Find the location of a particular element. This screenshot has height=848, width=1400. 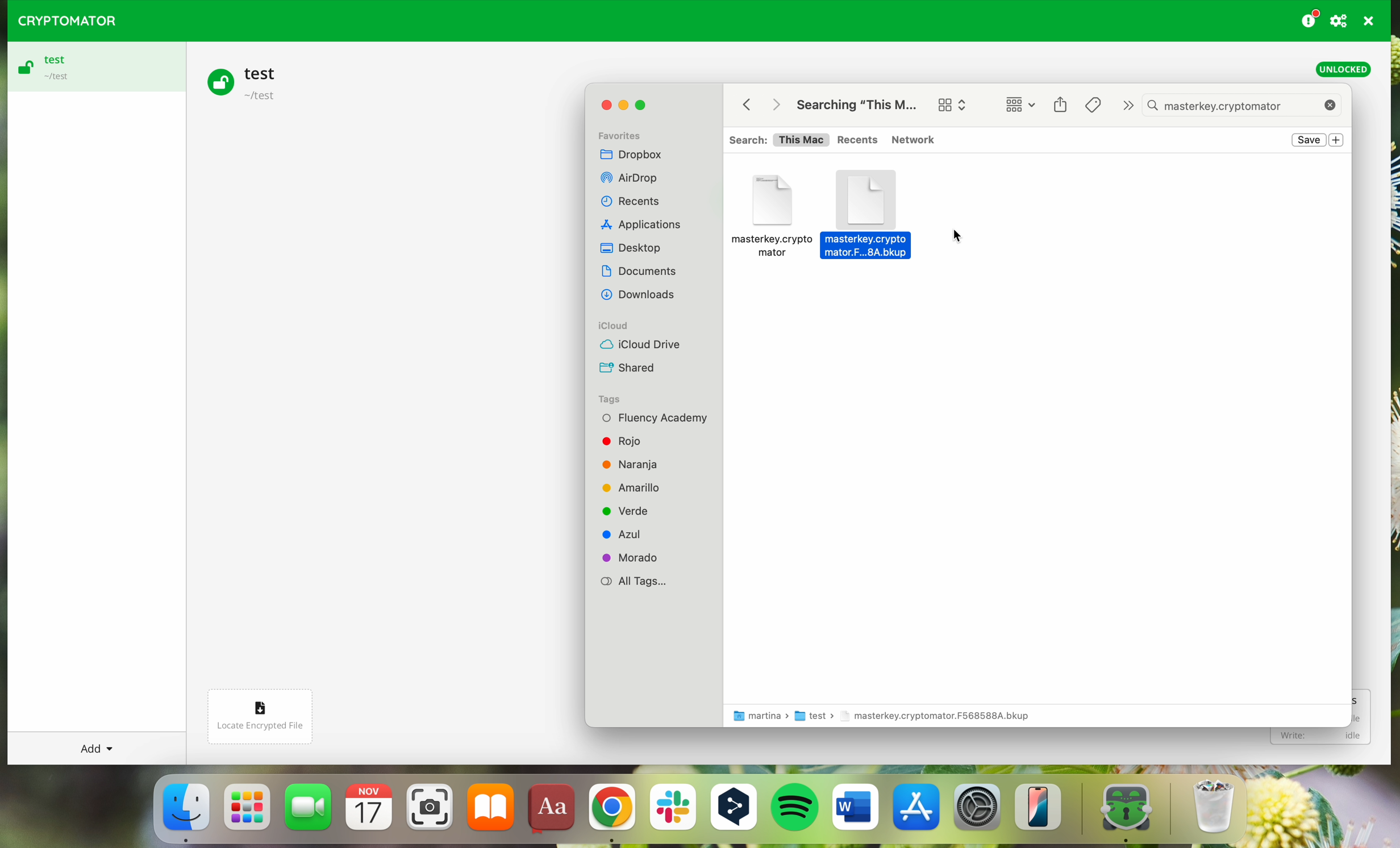

DeepL is located at coordinates (736, 809).